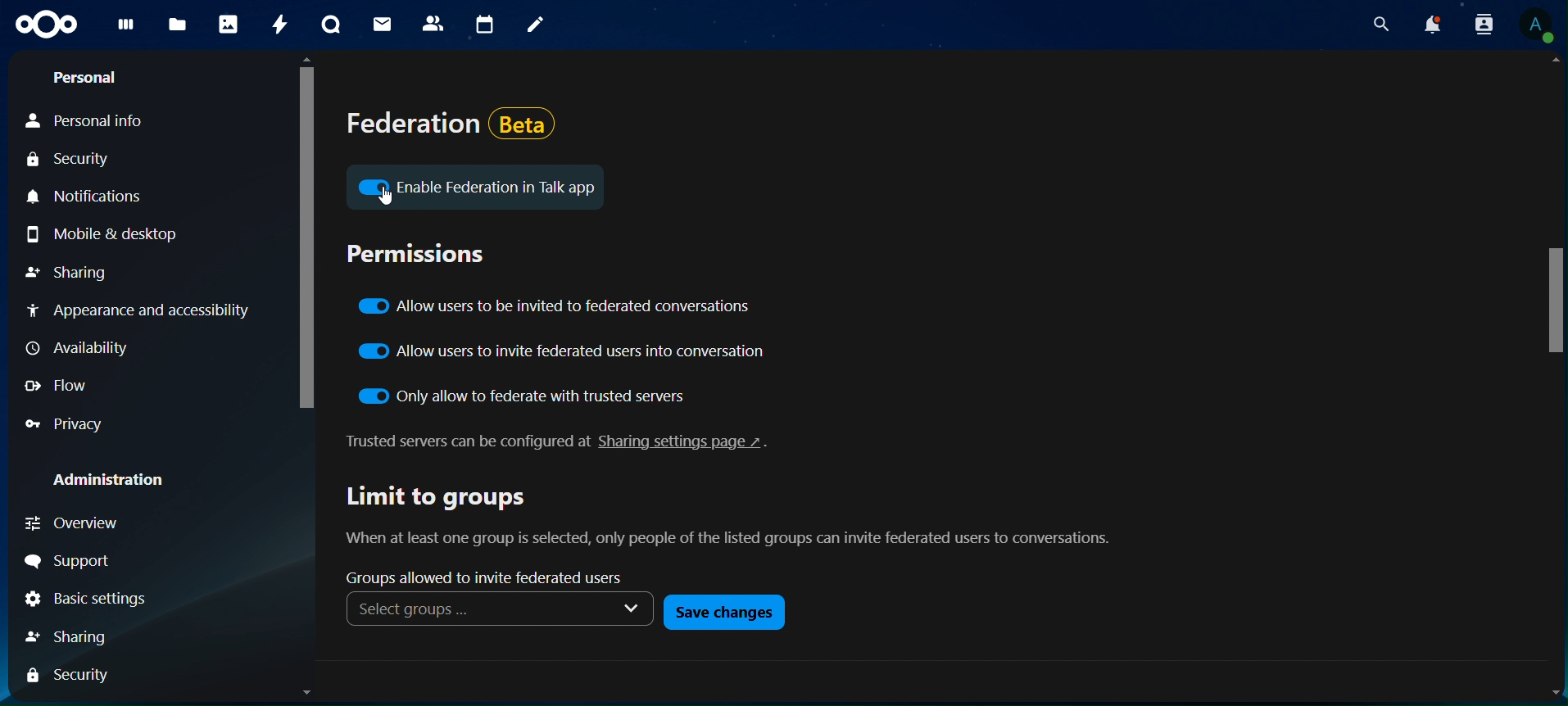  What do you see at coordinates (64, 424) in the screenshot?
I see `Privacy` at bounding box center [64, 424].